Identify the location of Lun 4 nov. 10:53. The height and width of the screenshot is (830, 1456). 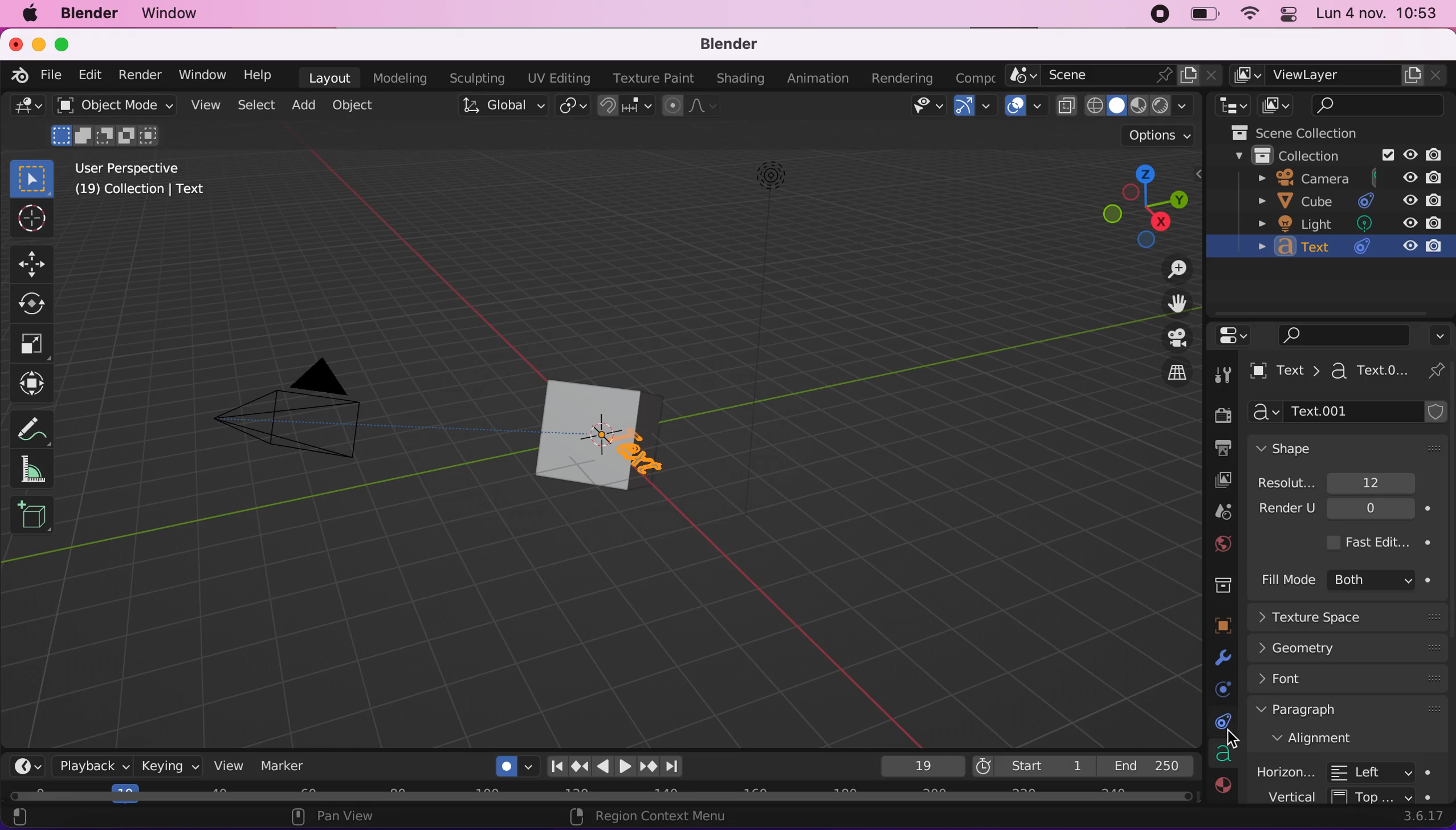
(1378, 15).